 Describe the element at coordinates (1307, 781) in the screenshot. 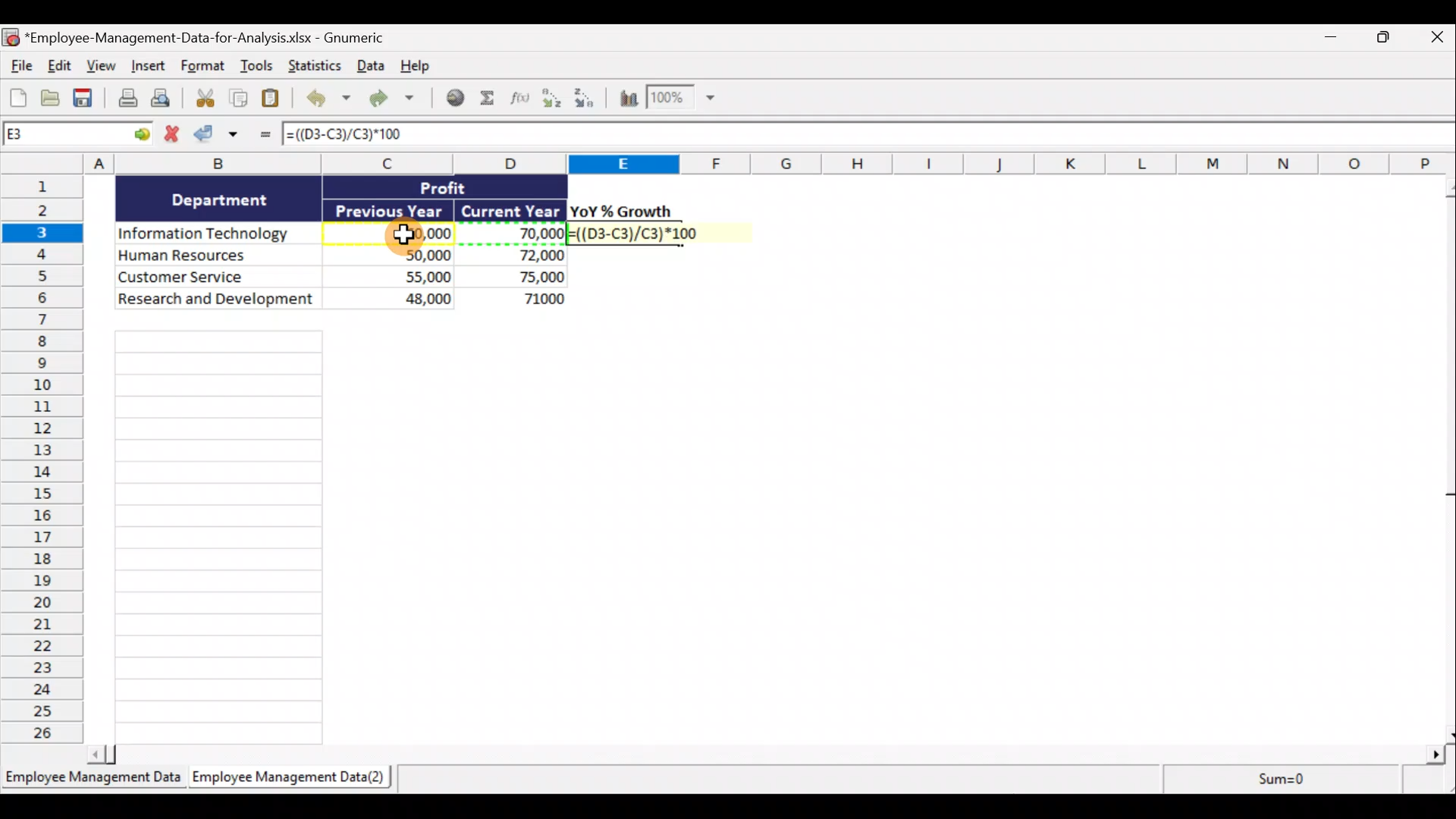

I see `sum=0` at that location.